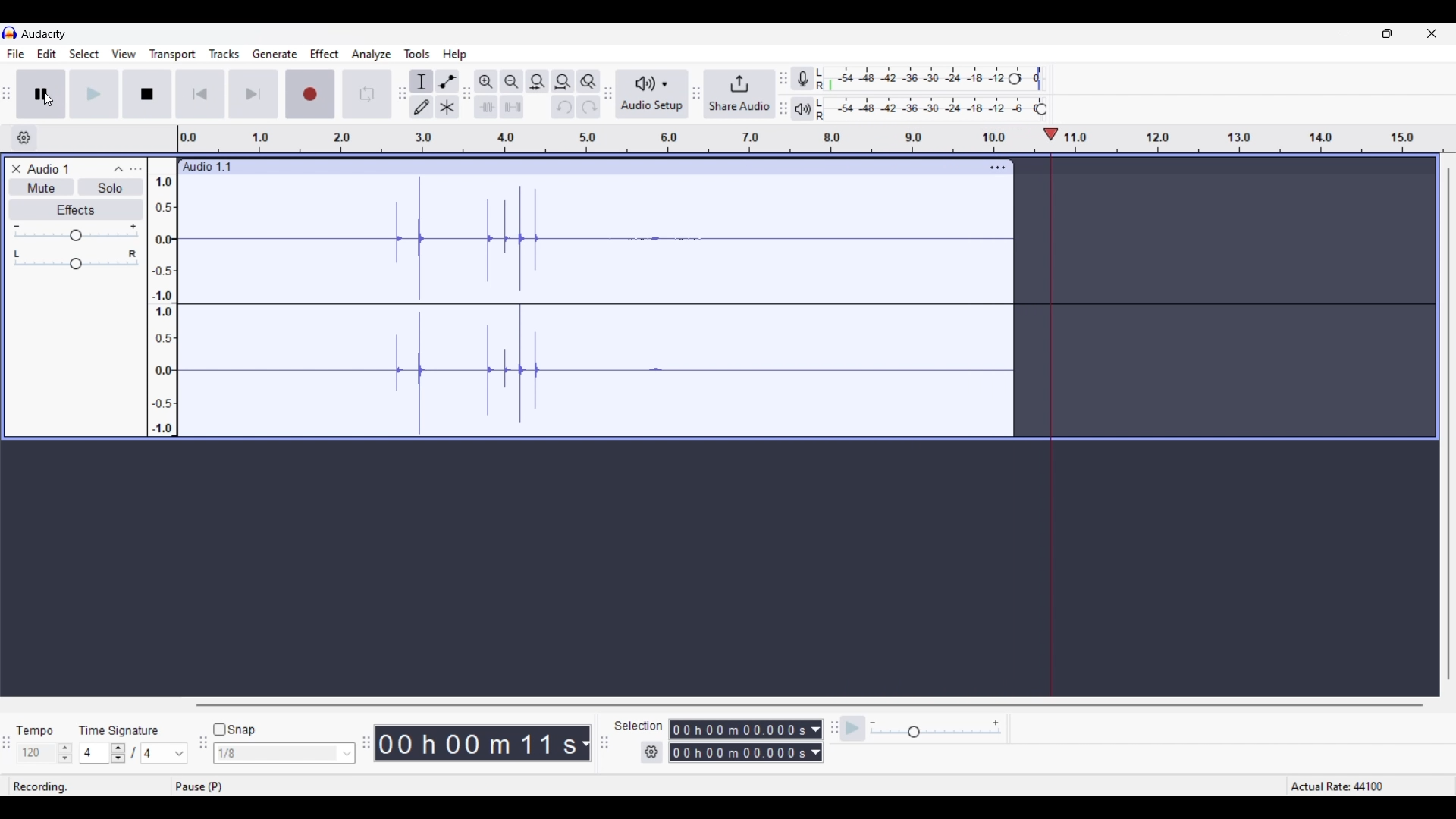 This screenshot has height=819, width=1456. Describe the element at coordinates (249, 94) in the screenshot. I see `Skip/Select to end` at that location.